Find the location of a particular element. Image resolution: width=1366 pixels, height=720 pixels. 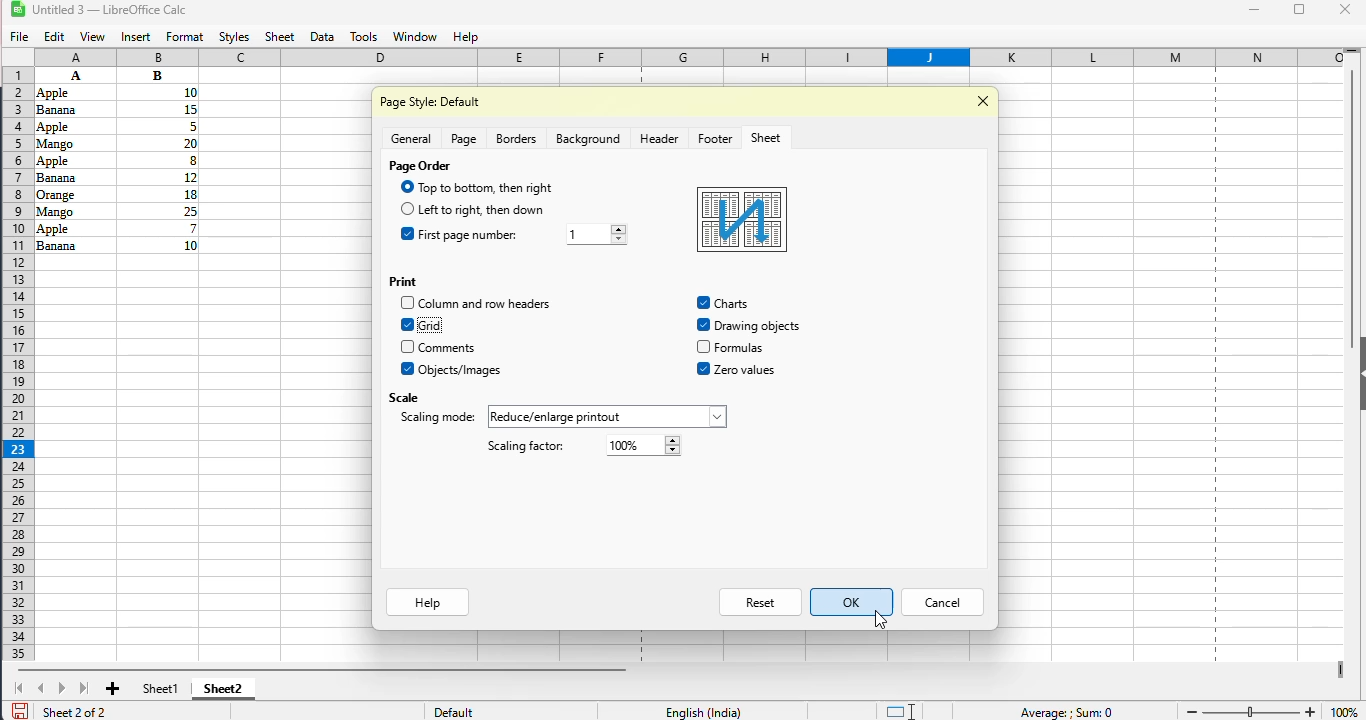

 is located at coordinates (73, 142).